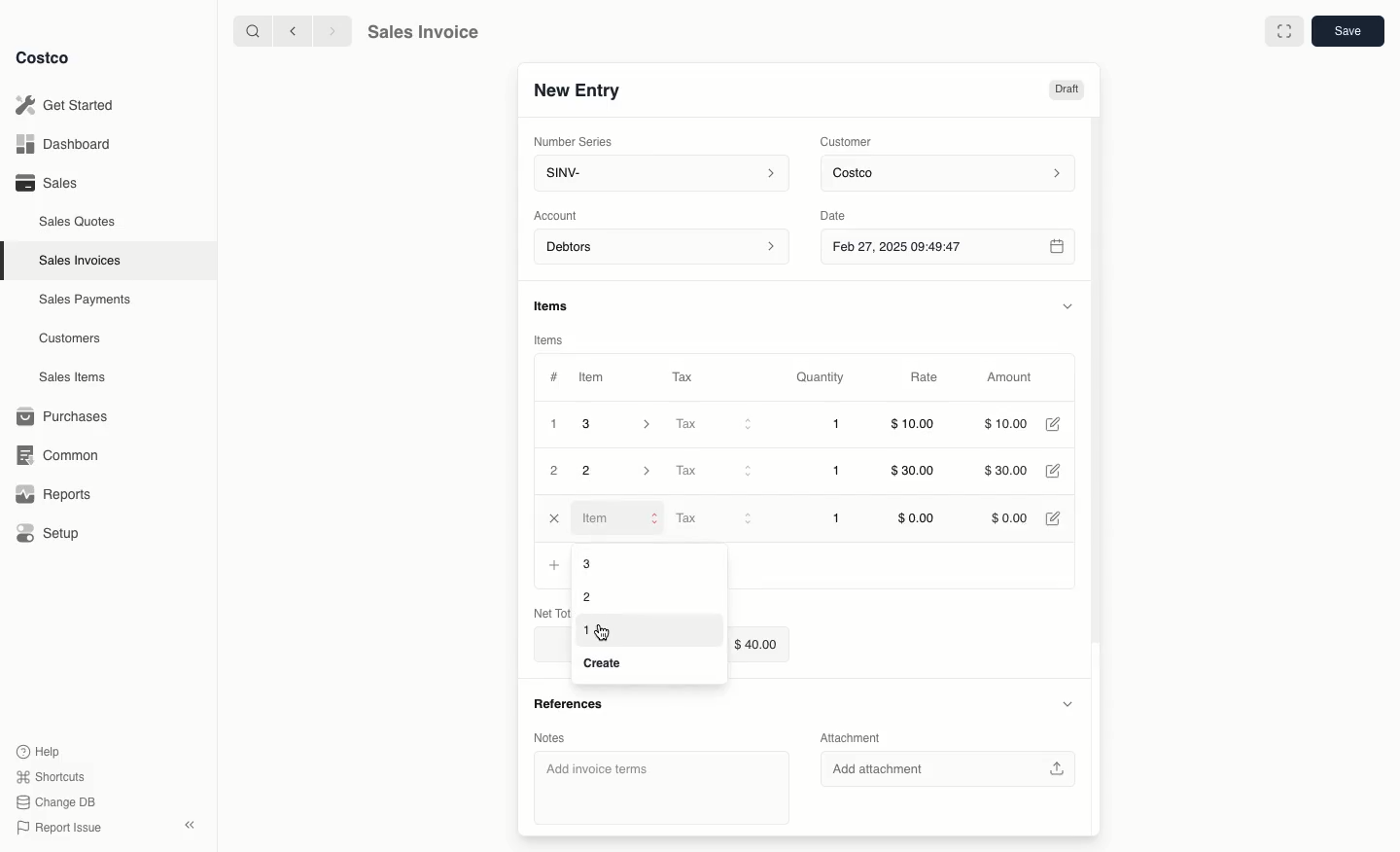  I want to click on Get Started, so click(68, 105).